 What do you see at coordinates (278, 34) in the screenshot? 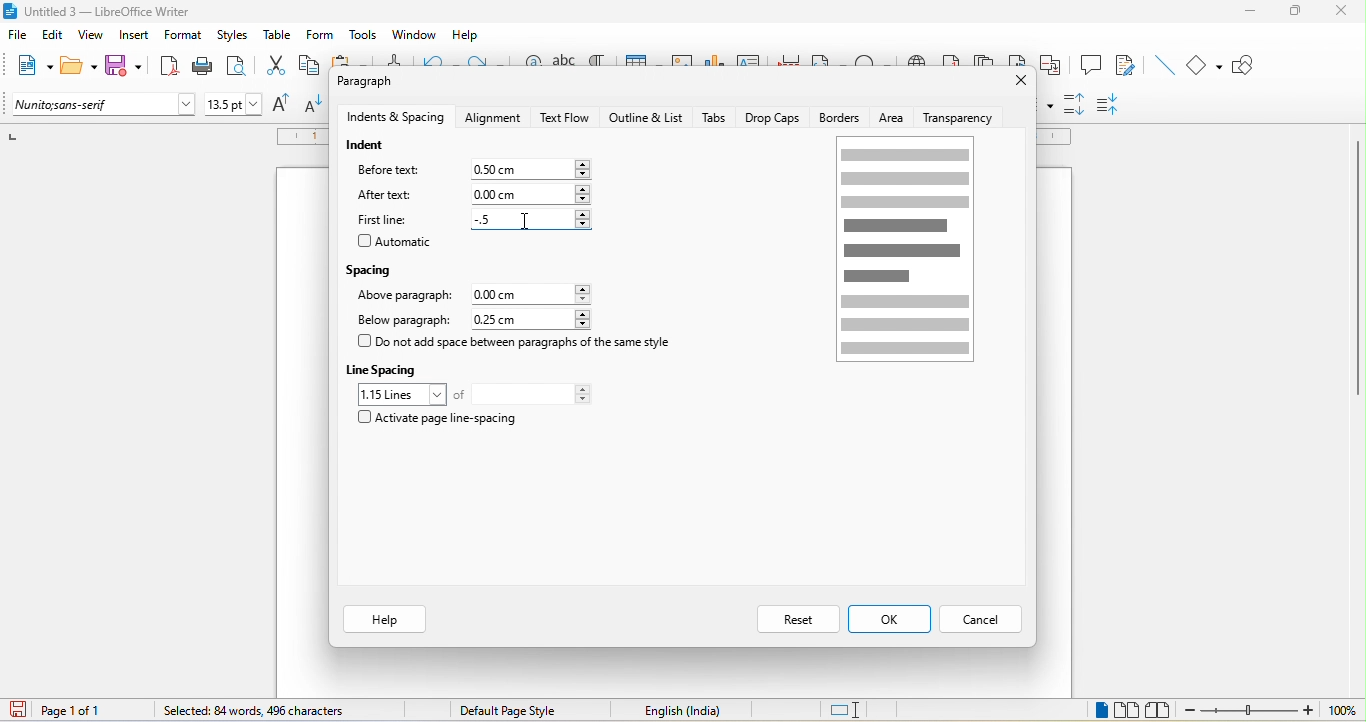
I see `table` at bounding box center [278, 34].